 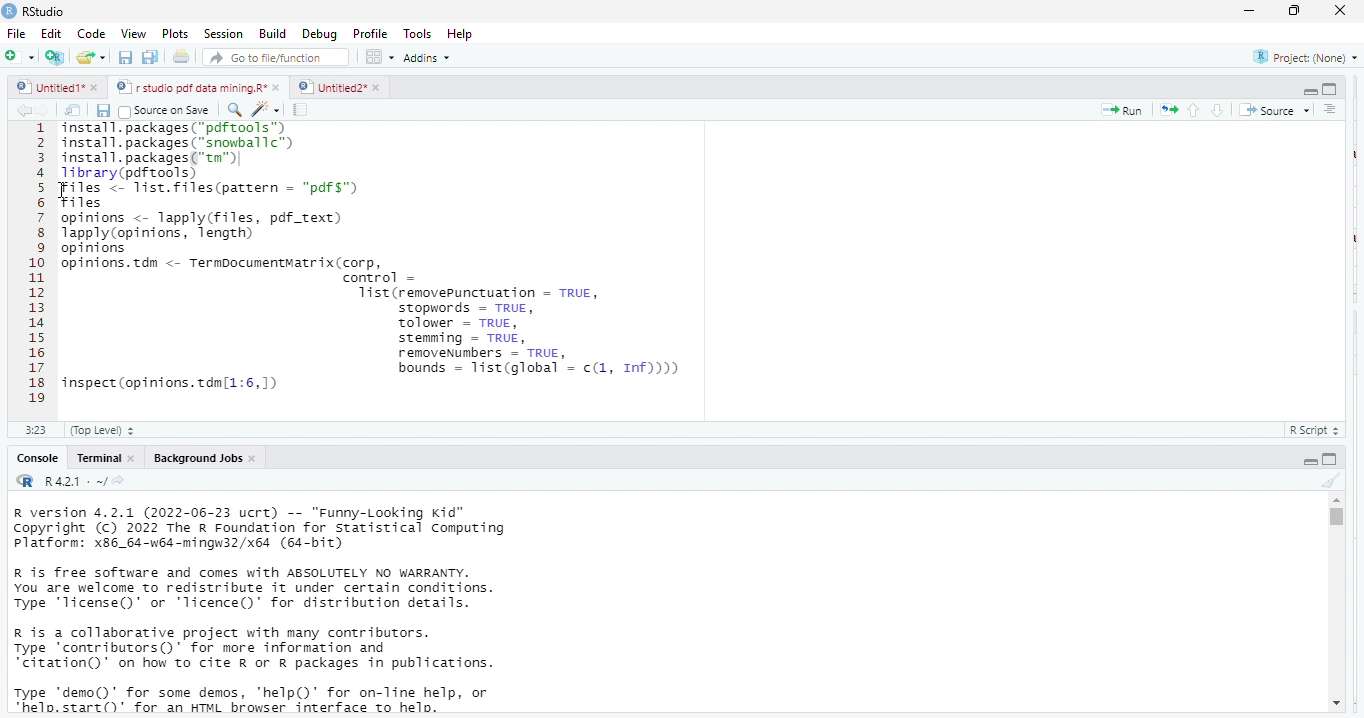 What do you see at coordinates (1319, 430) in the screenshot?
I see `r script` at bounding box center [1319, 430].